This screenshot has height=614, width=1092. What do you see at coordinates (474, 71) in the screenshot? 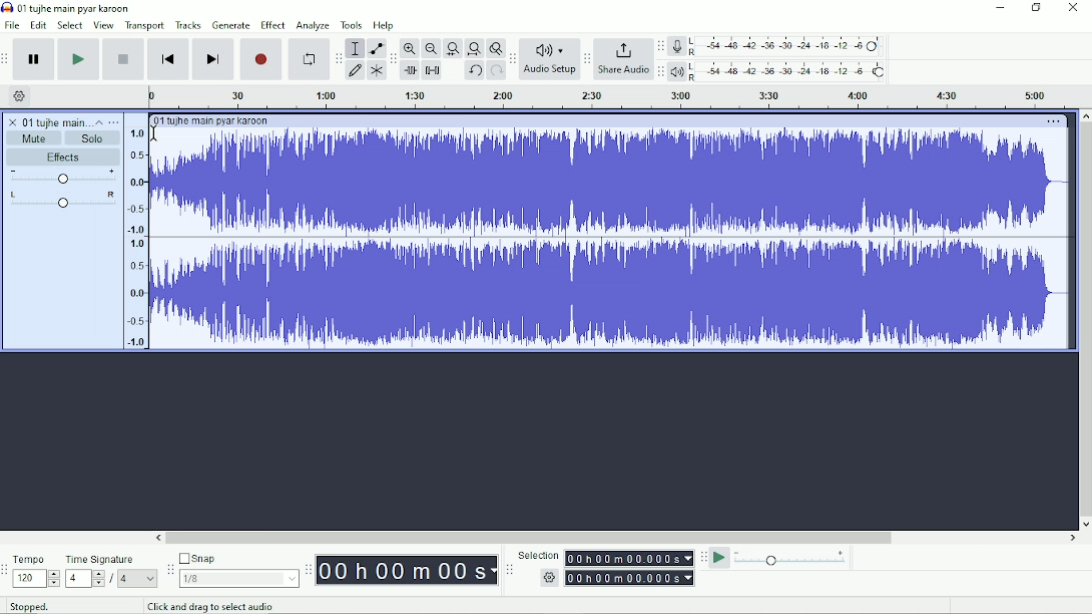
I see `Undo` at bounding box center [474, 71].